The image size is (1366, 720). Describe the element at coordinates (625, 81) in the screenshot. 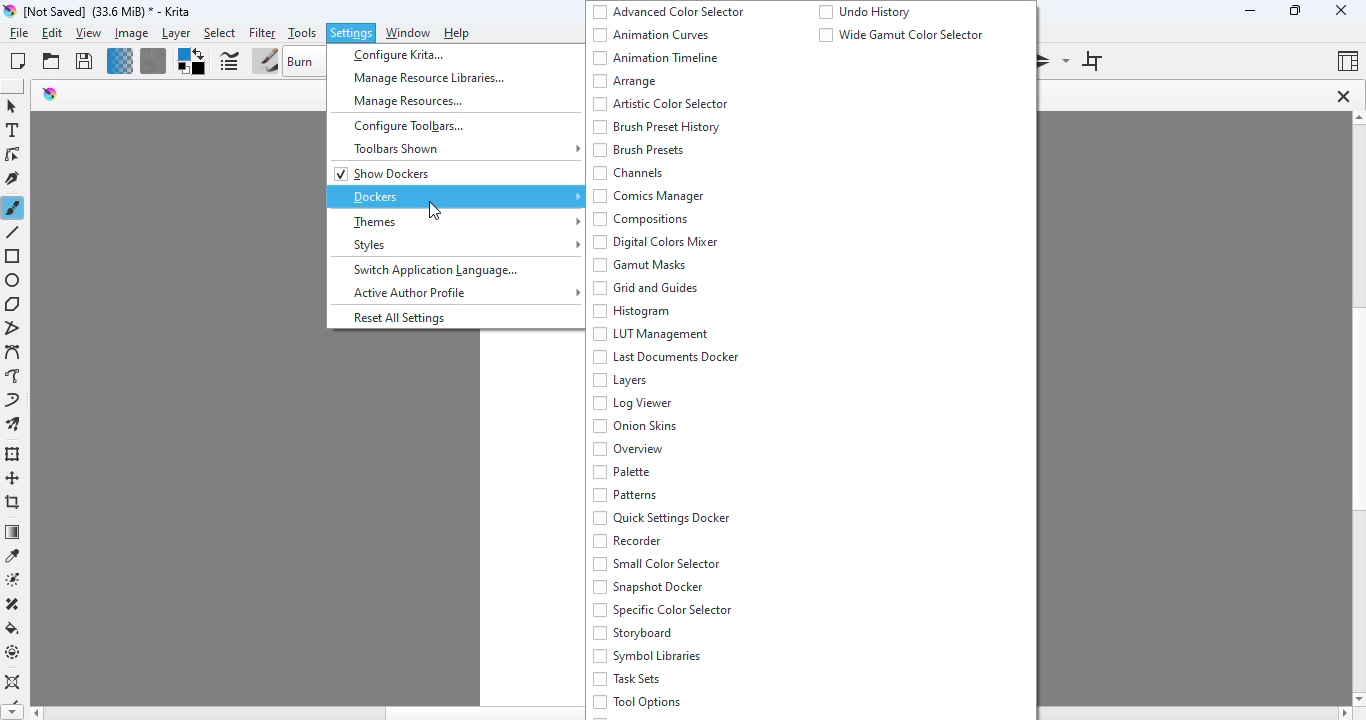

I see `arrange` at that location.